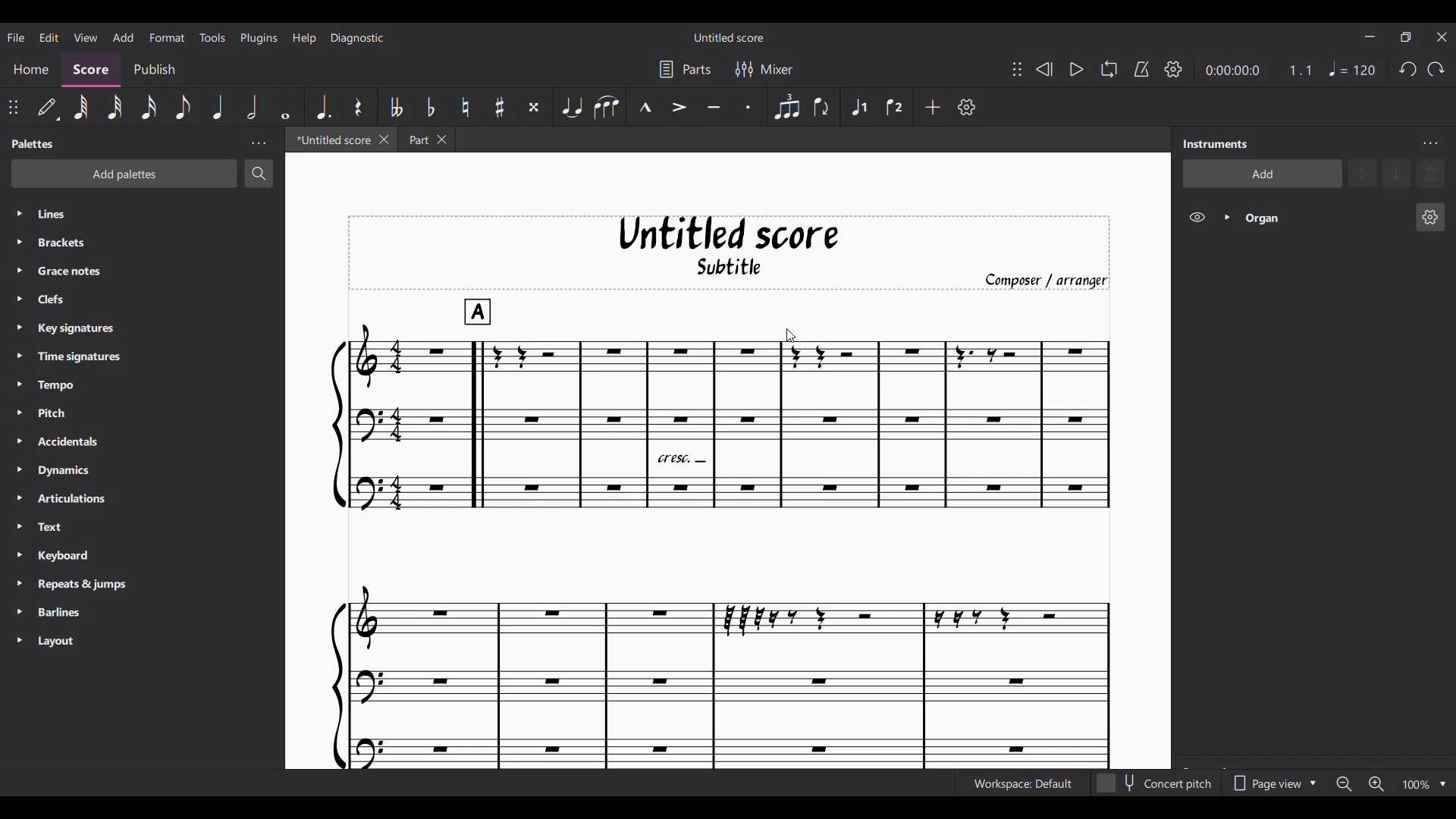 This screenshot has height=819, width=1456. Describe the element at coordinates (357, 106) in the screenshot. I see `Rest` at that location.